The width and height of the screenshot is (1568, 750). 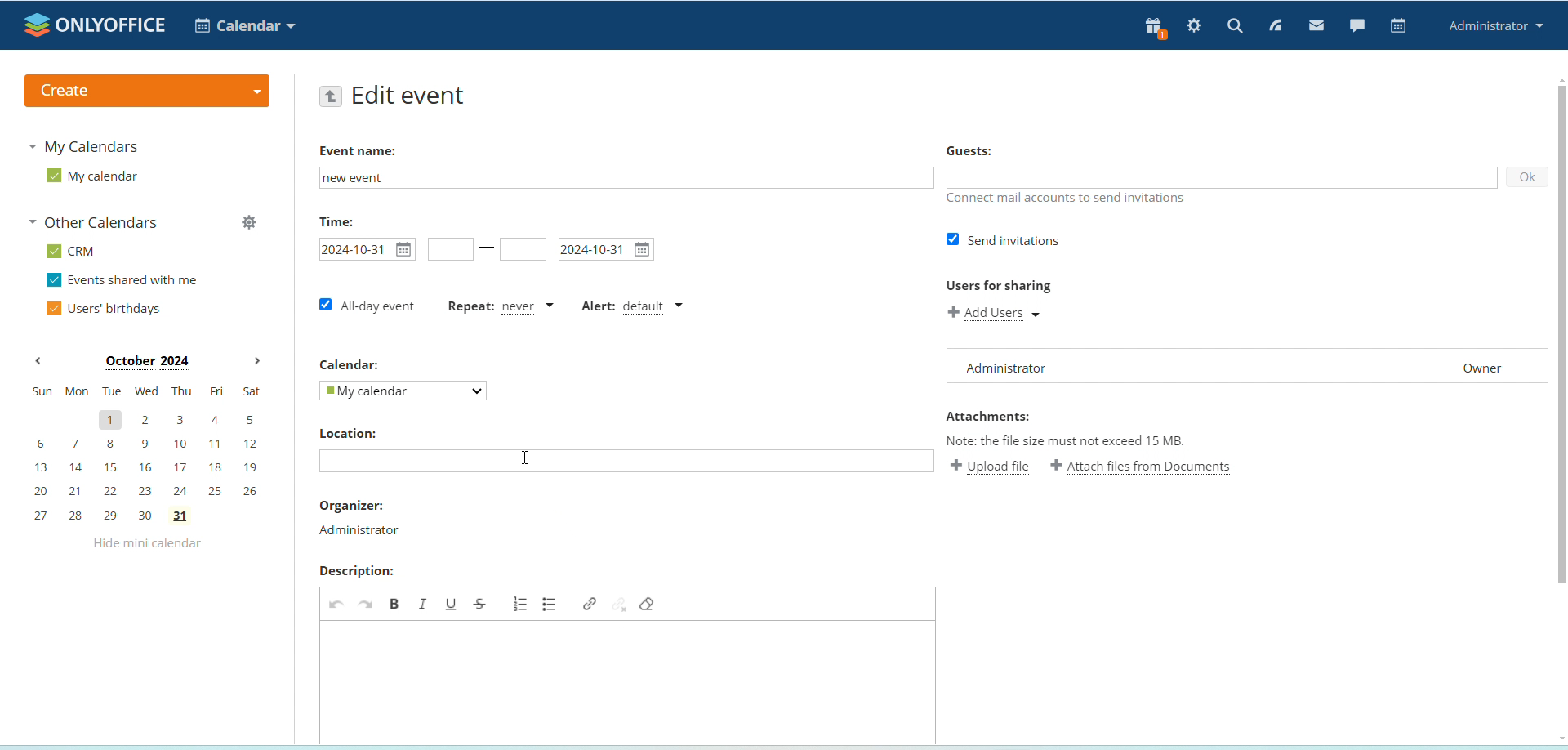 I want to click on manage, so click(x=248, y=225).